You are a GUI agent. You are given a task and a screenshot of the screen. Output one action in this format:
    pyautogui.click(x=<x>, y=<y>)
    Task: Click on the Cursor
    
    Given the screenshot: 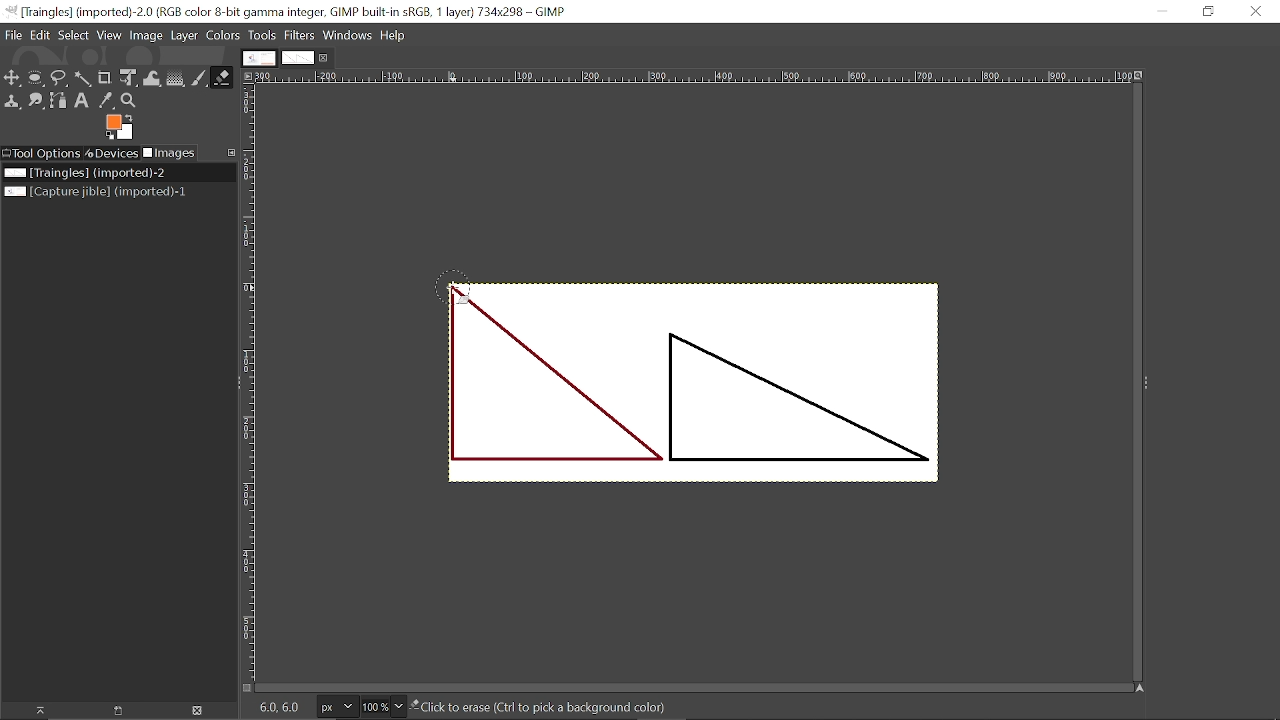 What is the action you would take?
    pyautogui.click(x=457, y=286)
    